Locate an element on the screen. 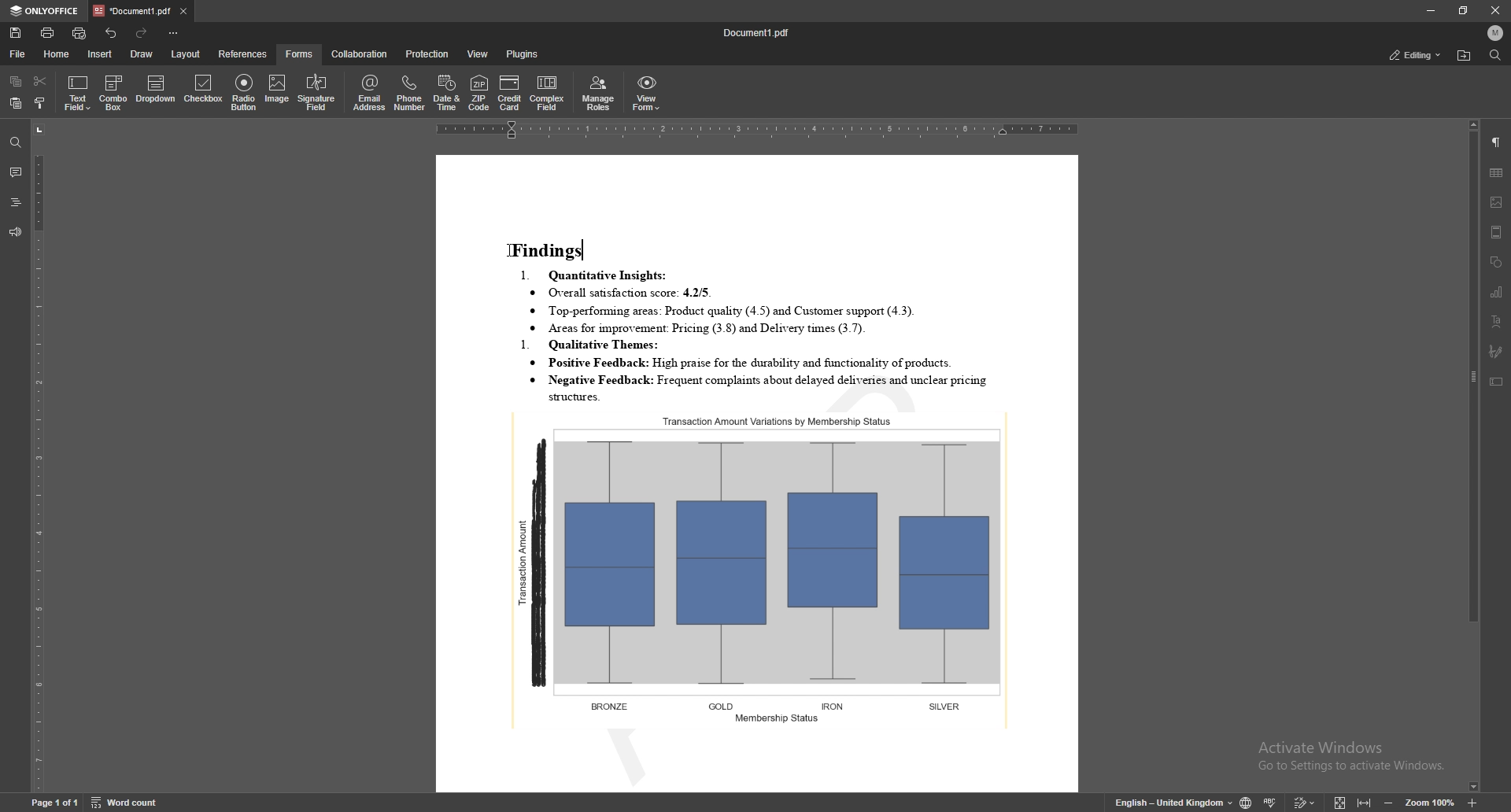  scroll down is located at coordinates (1472, 788).